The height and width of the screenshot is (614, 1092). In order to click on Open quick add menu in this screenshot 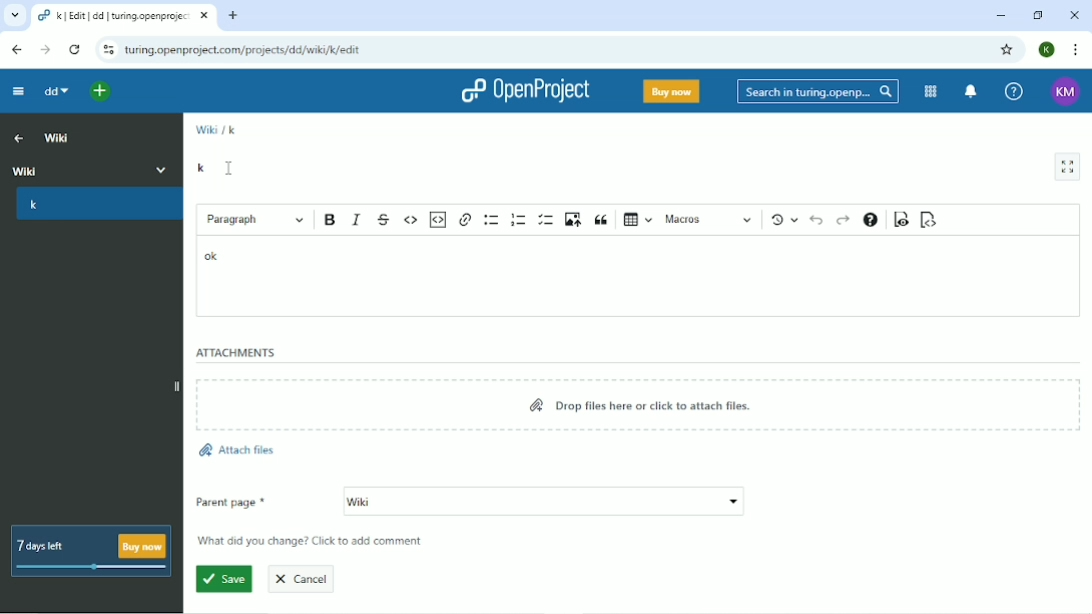, I will do `click(101, 90)`.